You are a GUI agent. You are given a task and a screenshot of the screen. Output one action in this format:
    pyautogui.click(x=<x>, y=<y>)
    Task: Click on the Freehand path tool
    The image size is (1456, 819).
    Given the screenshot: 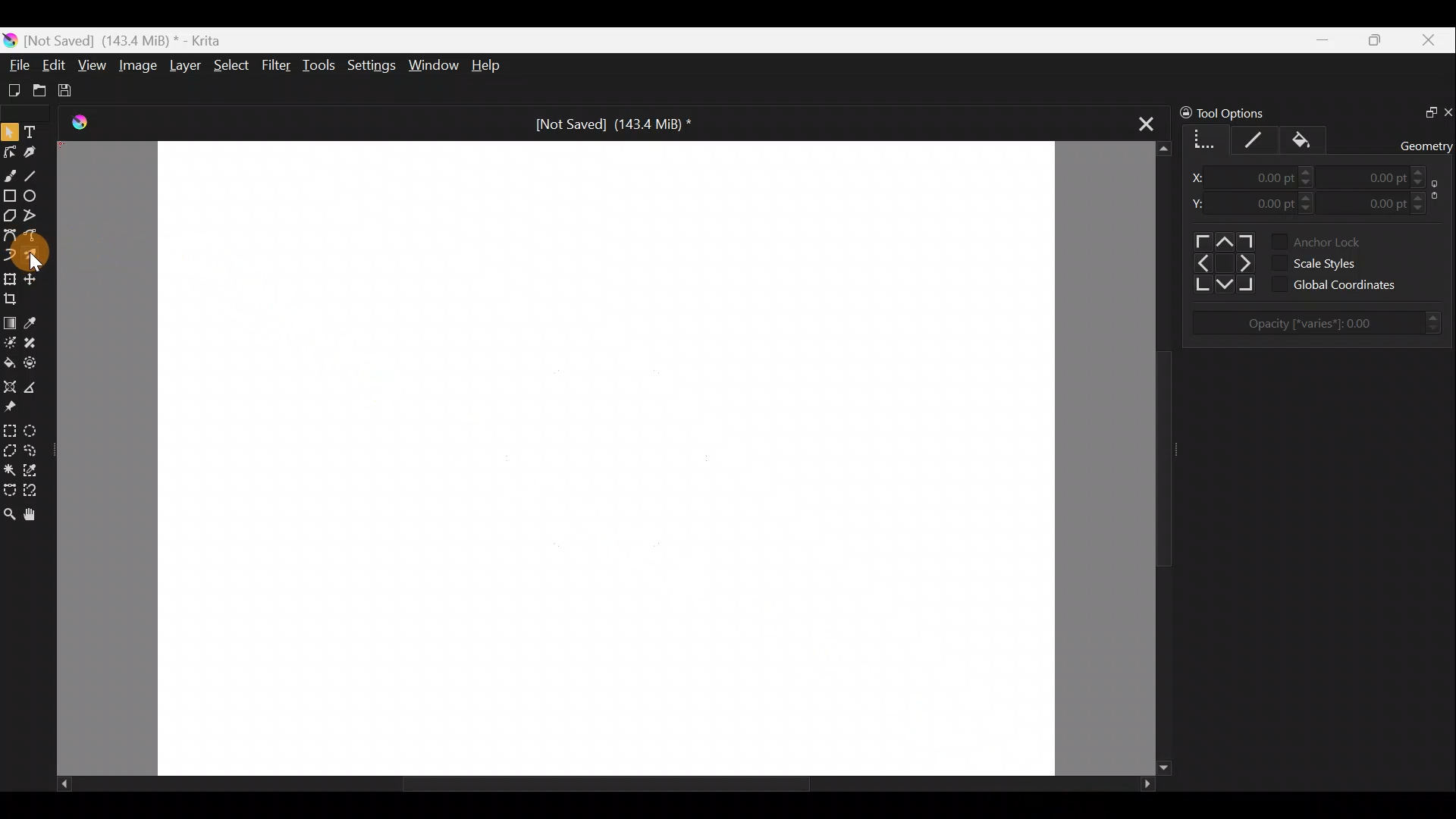 What is the action you would take?
    pyautogui.click(x=33, y=238)
    